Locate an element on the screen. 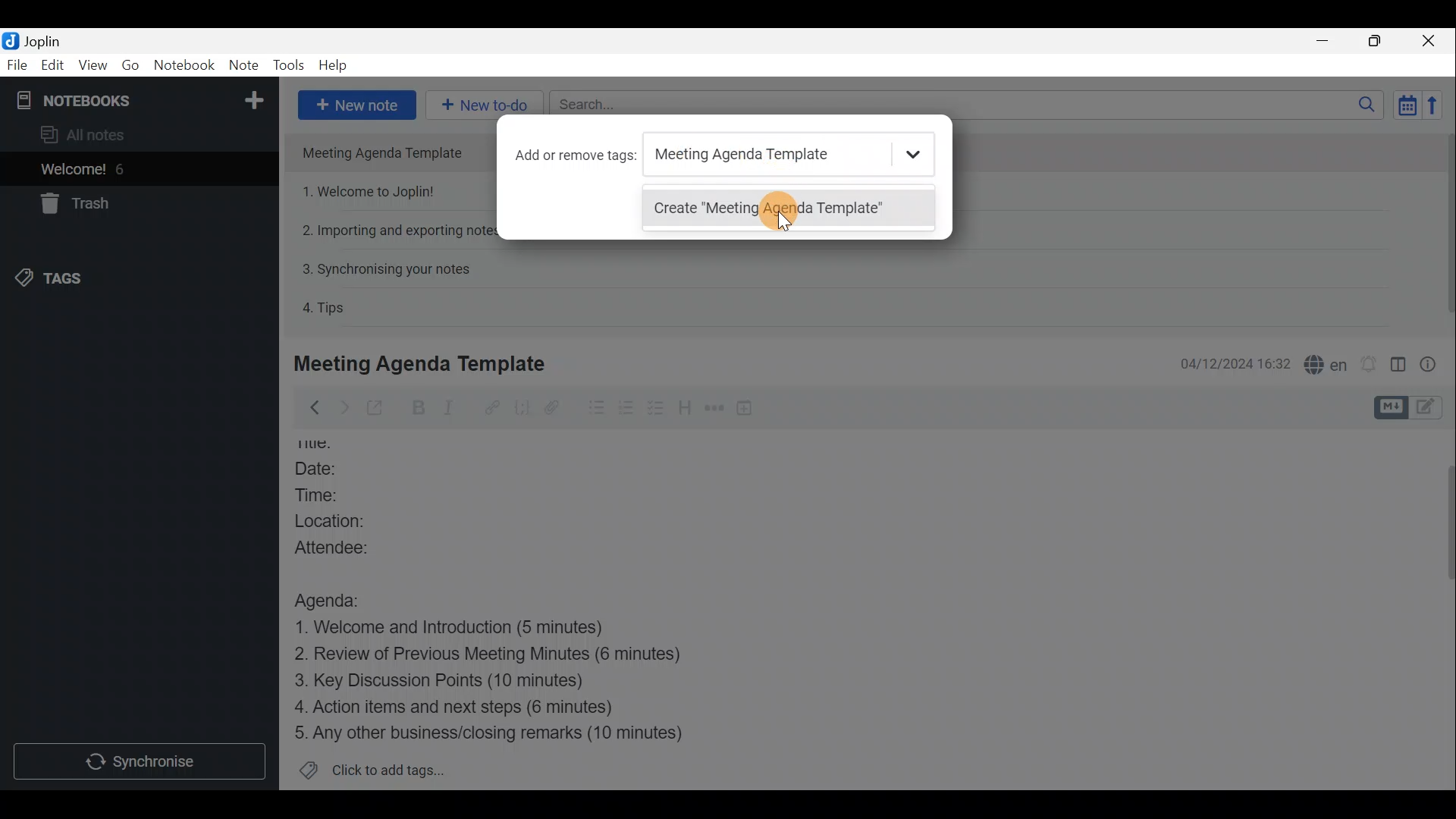  Review of Previous Meeting Minutes (6 minutes) is located at coordinates (512, 657).